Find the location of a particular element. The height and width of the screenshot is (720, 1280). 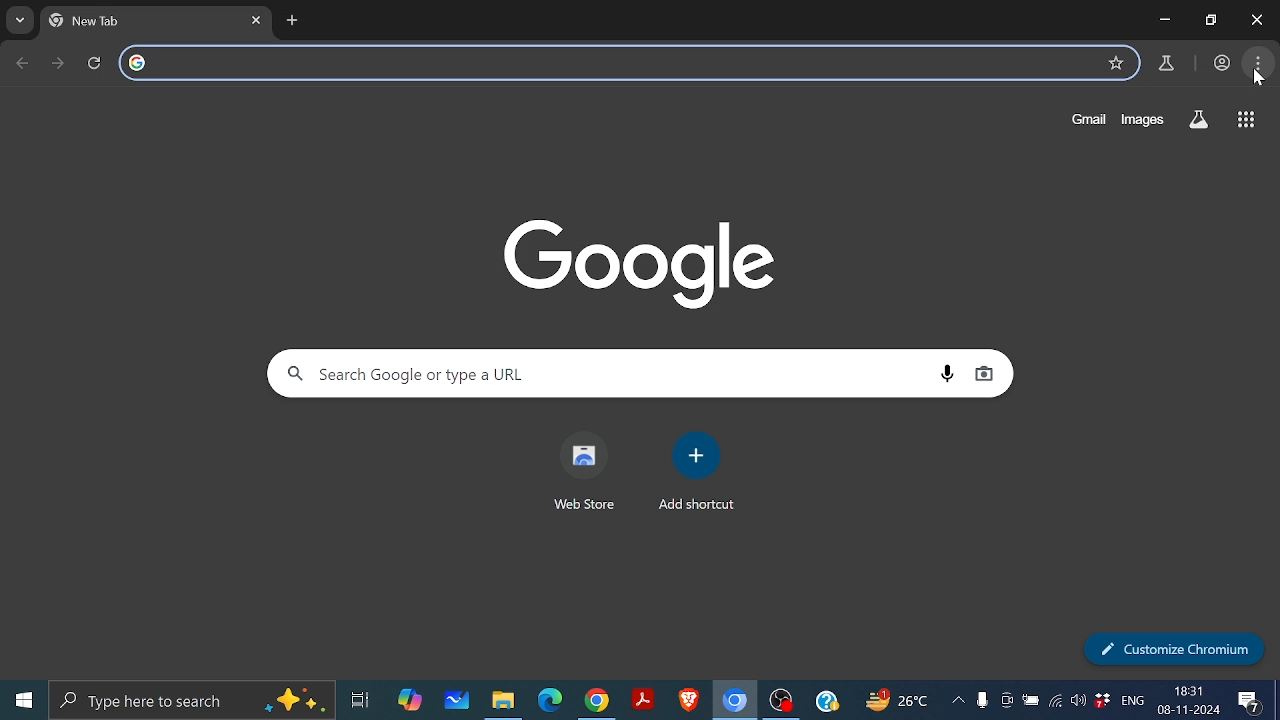

Add shortcut is located at coordinates (696, 455).